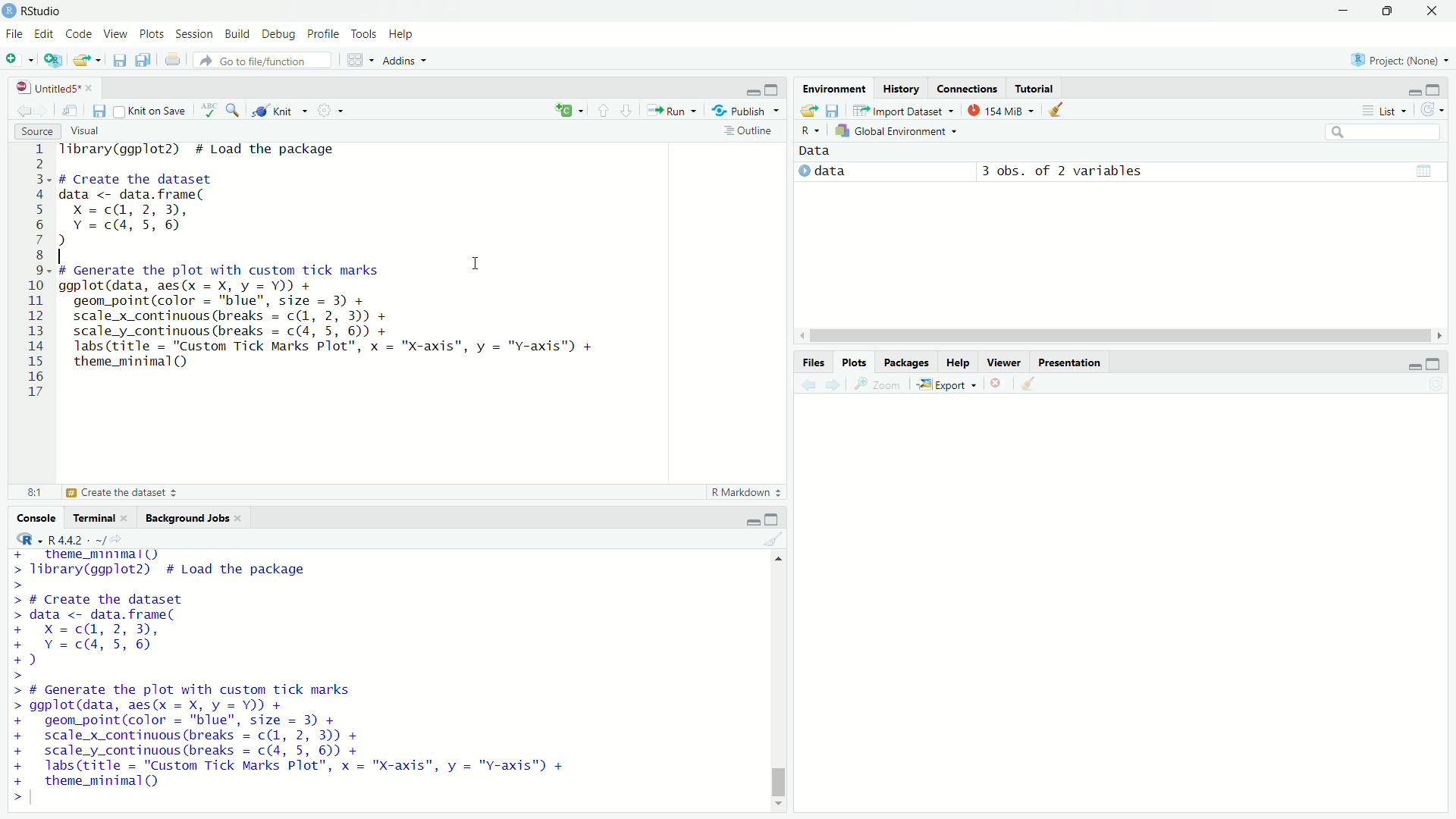  I want to click on logo, so click(9, 11).